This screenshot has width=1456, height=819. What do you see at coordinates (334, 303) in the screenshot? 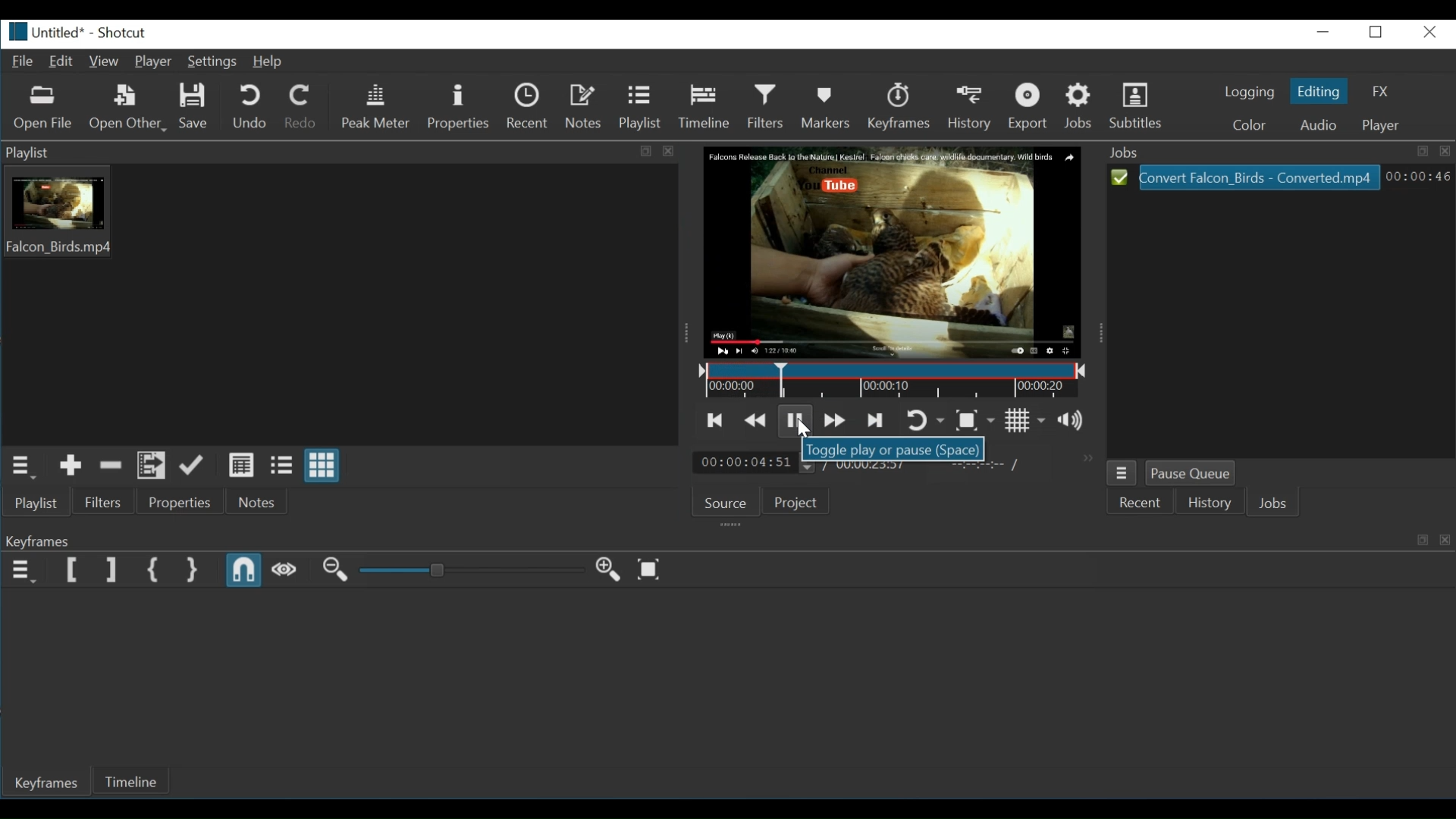
I see `Playlist thumbnail` at bounding box center [334, 303].